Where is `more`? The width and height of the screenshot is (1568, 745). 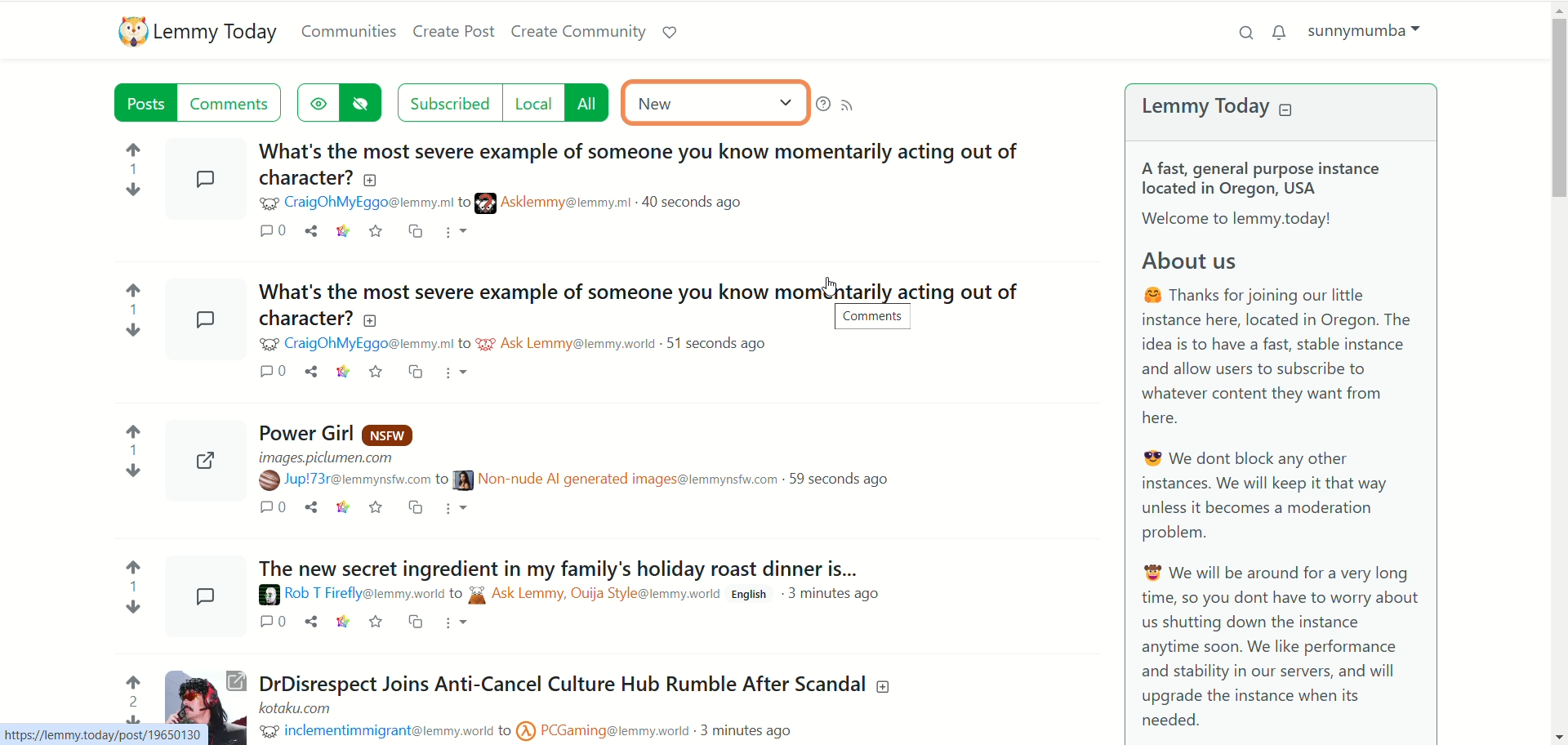
more is located at coordinates (457, 233).